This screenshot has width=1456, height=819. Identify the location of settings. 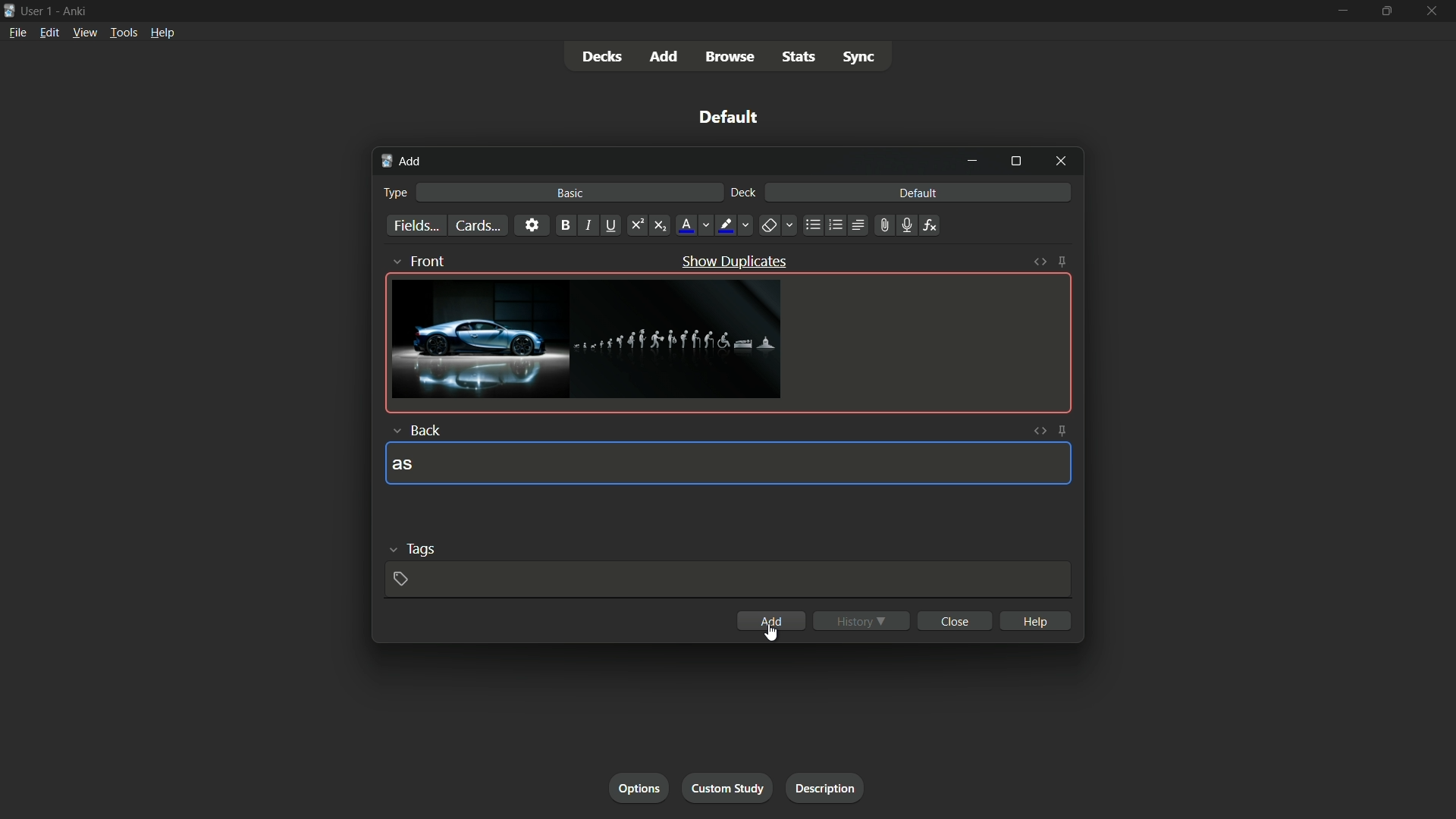
(531, 224).